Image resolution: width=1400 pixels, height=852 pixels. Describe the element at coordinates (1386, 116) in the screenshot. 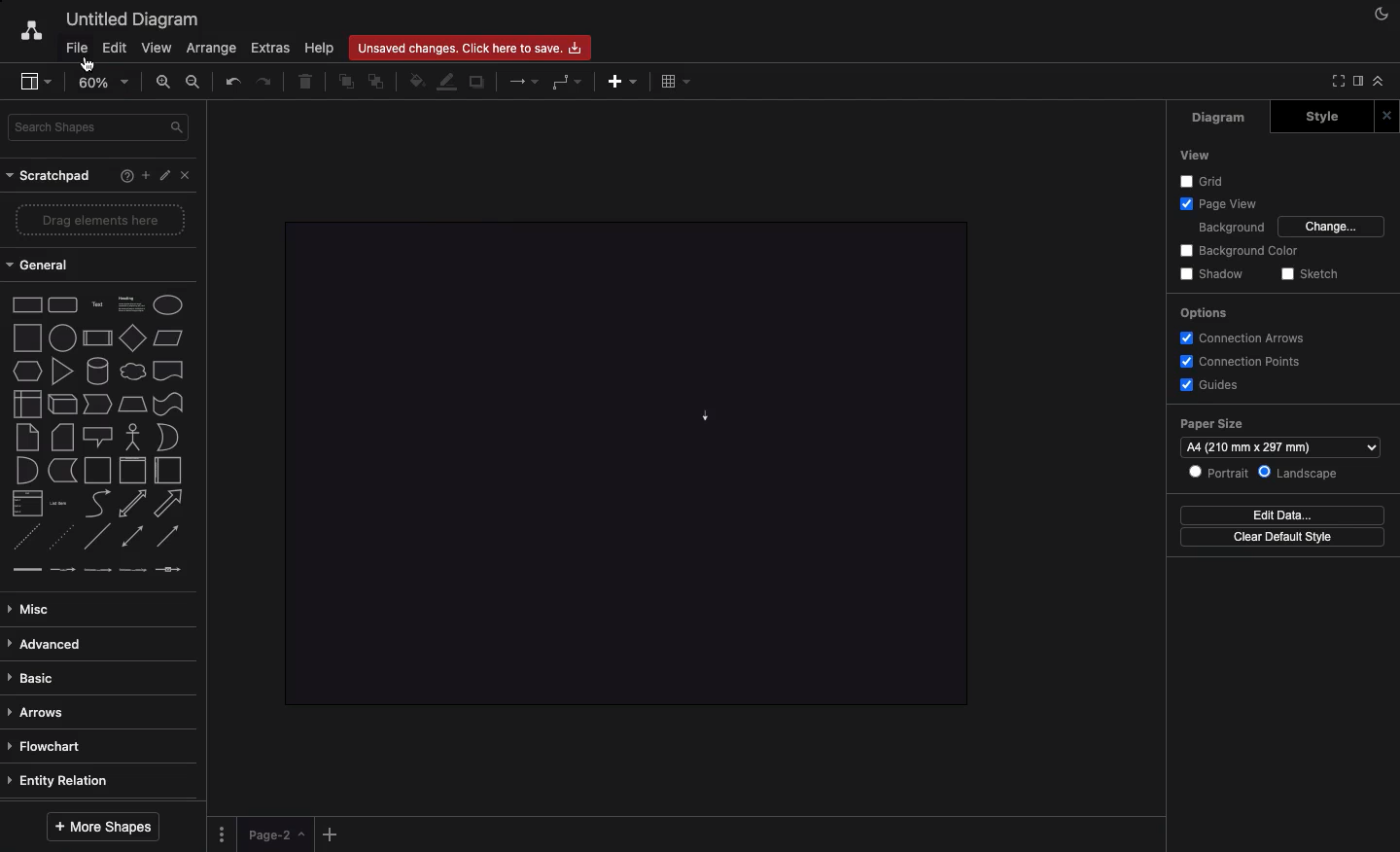

I see `Close` at that location.